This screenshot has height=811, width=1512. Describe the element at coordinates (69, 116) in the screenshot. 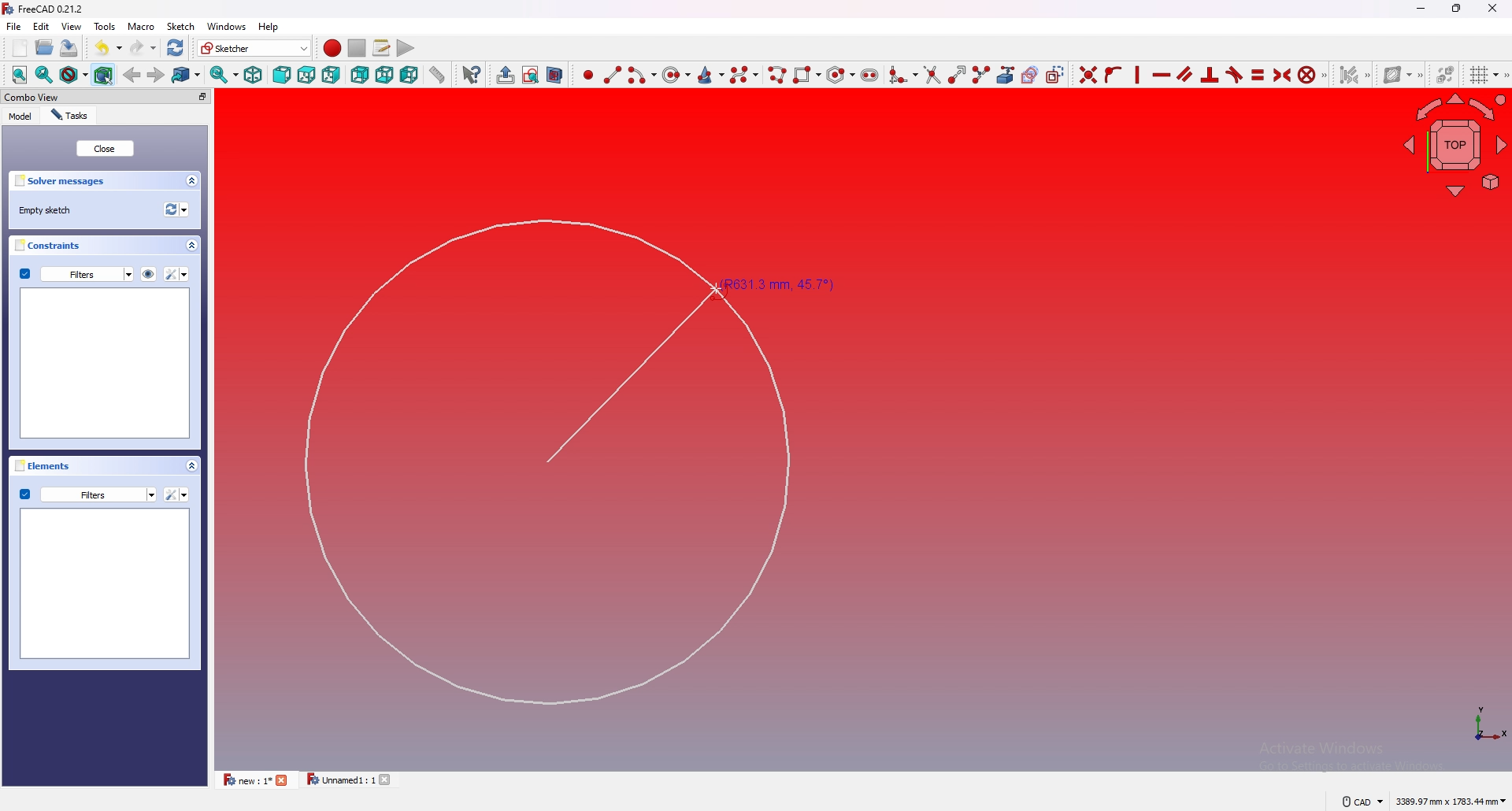

I see `tasks` at that location.